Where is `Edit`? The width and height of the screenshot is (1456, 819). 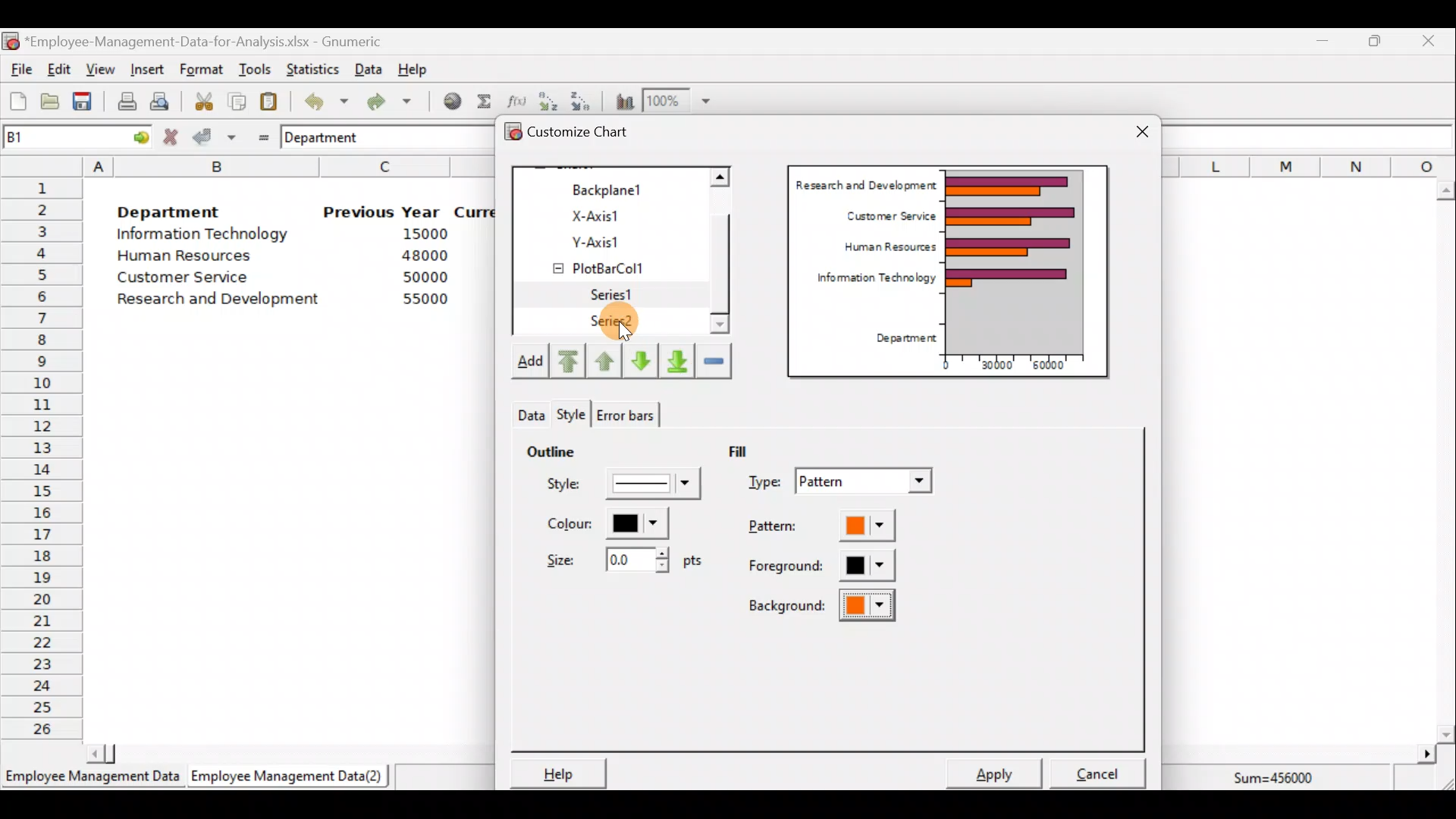 Edit is located at coordinates (60, 71).